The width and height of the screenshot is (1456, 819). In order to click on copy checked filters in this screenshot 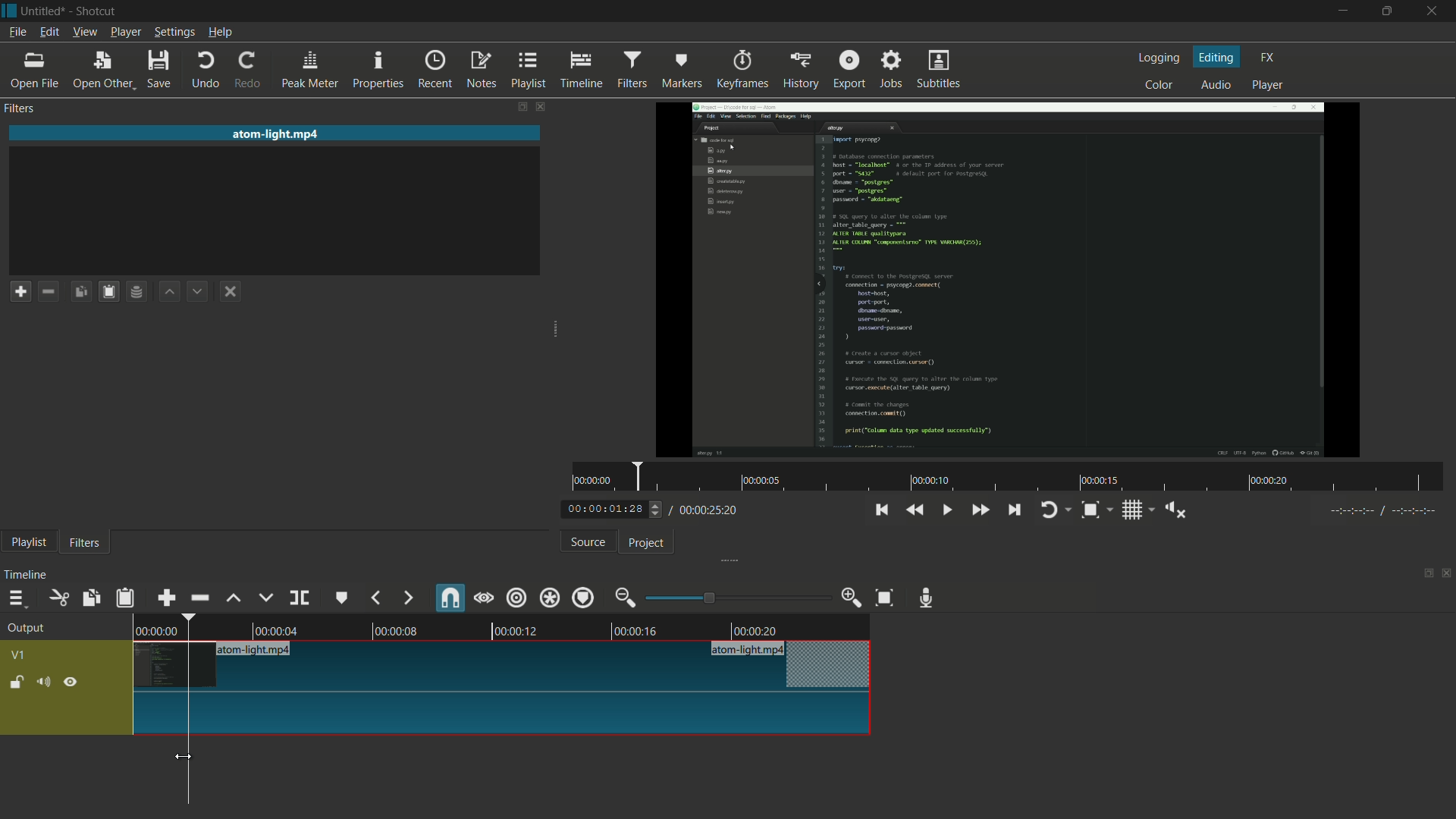, I will do `click(93, 598)`.